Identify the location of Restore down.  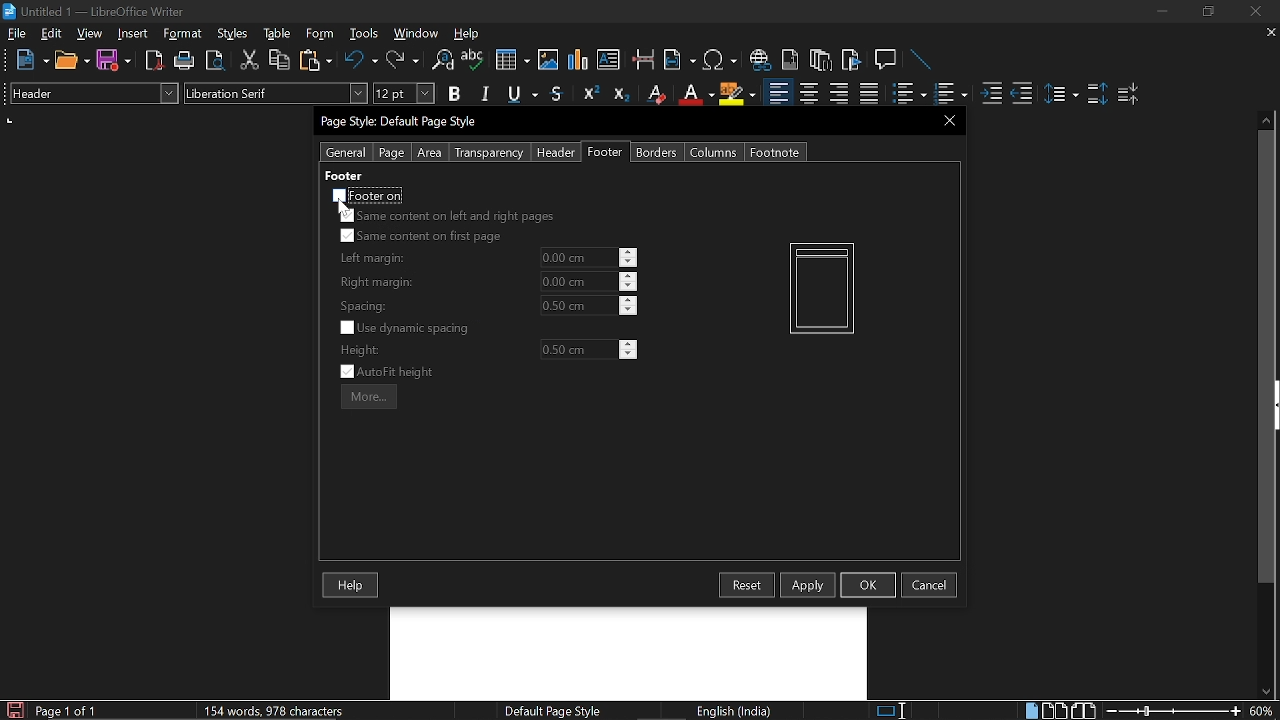
(1206, 12).